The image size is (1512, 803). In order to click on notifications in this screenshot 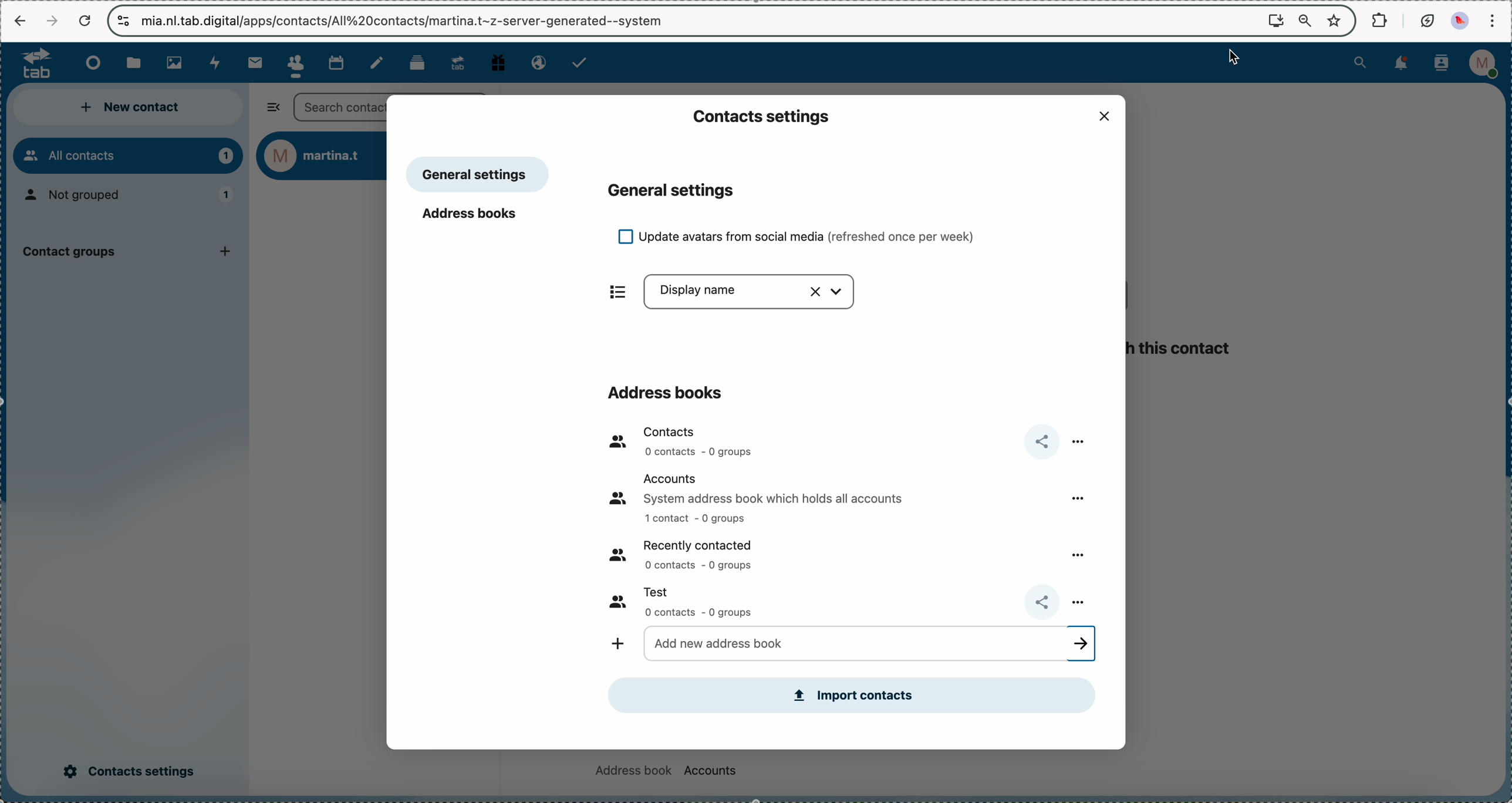, I will do `click(1404, 63)`.